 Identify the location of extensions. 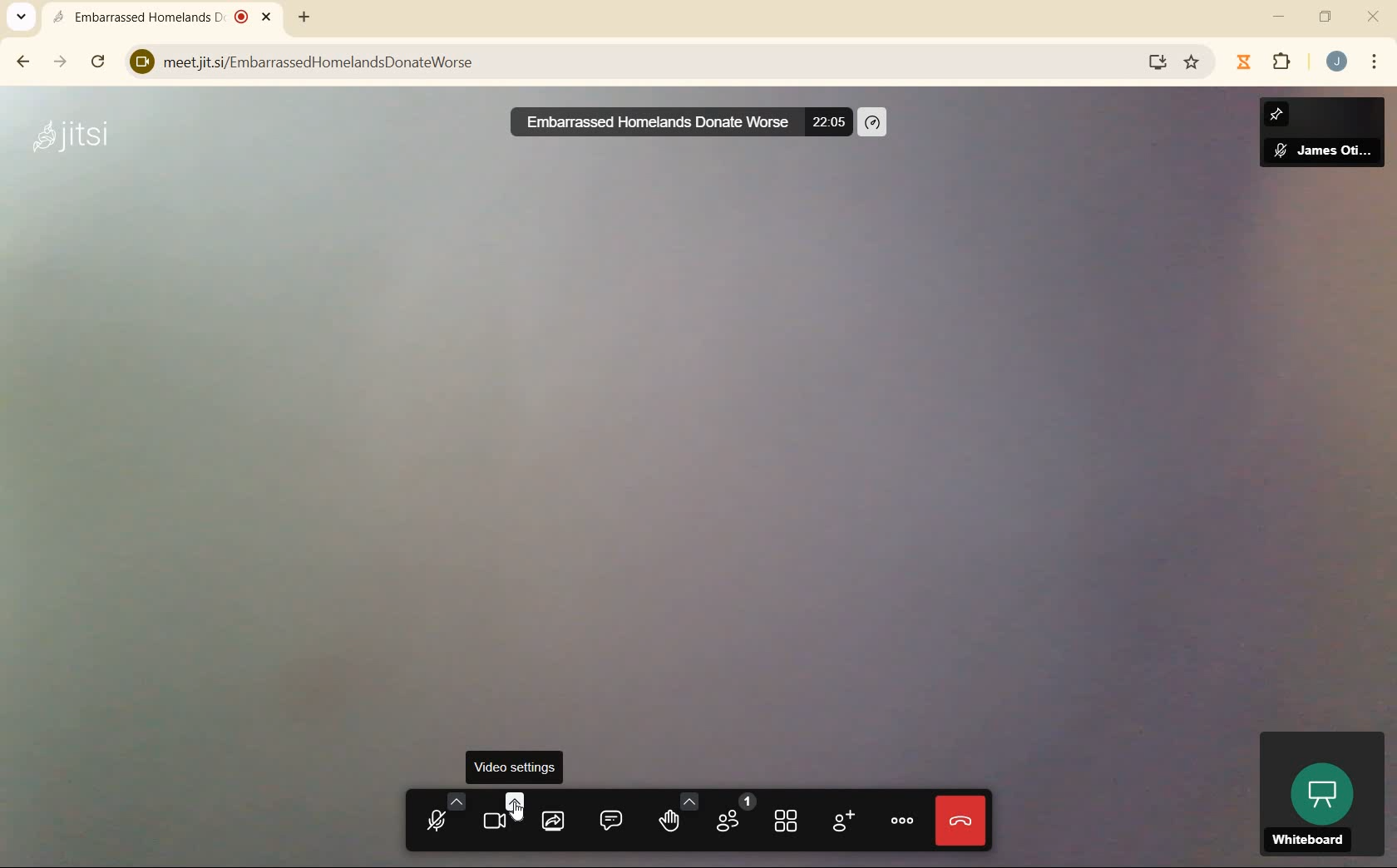
(1265, 62).